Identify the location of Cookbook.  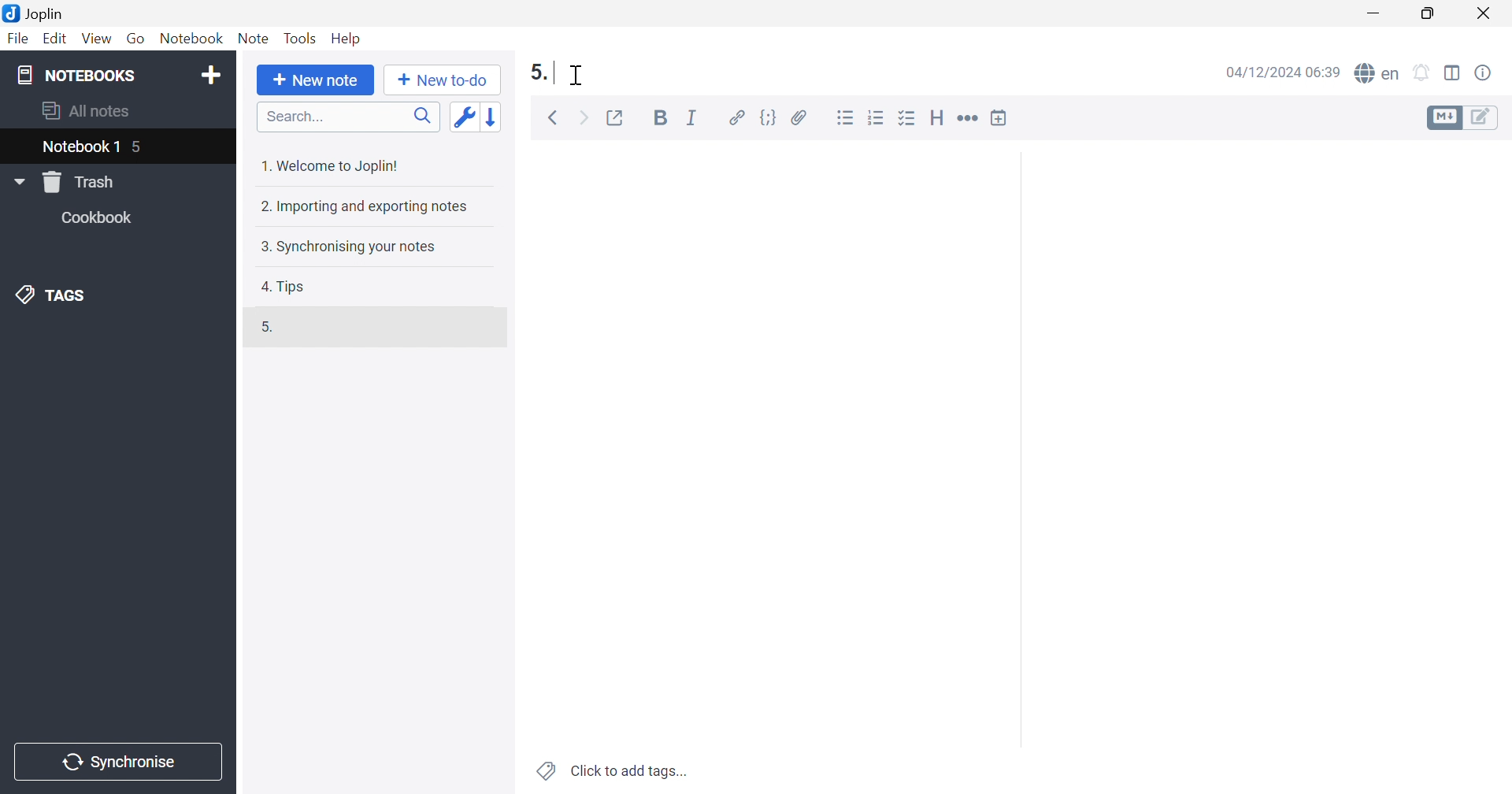
(102, 217).